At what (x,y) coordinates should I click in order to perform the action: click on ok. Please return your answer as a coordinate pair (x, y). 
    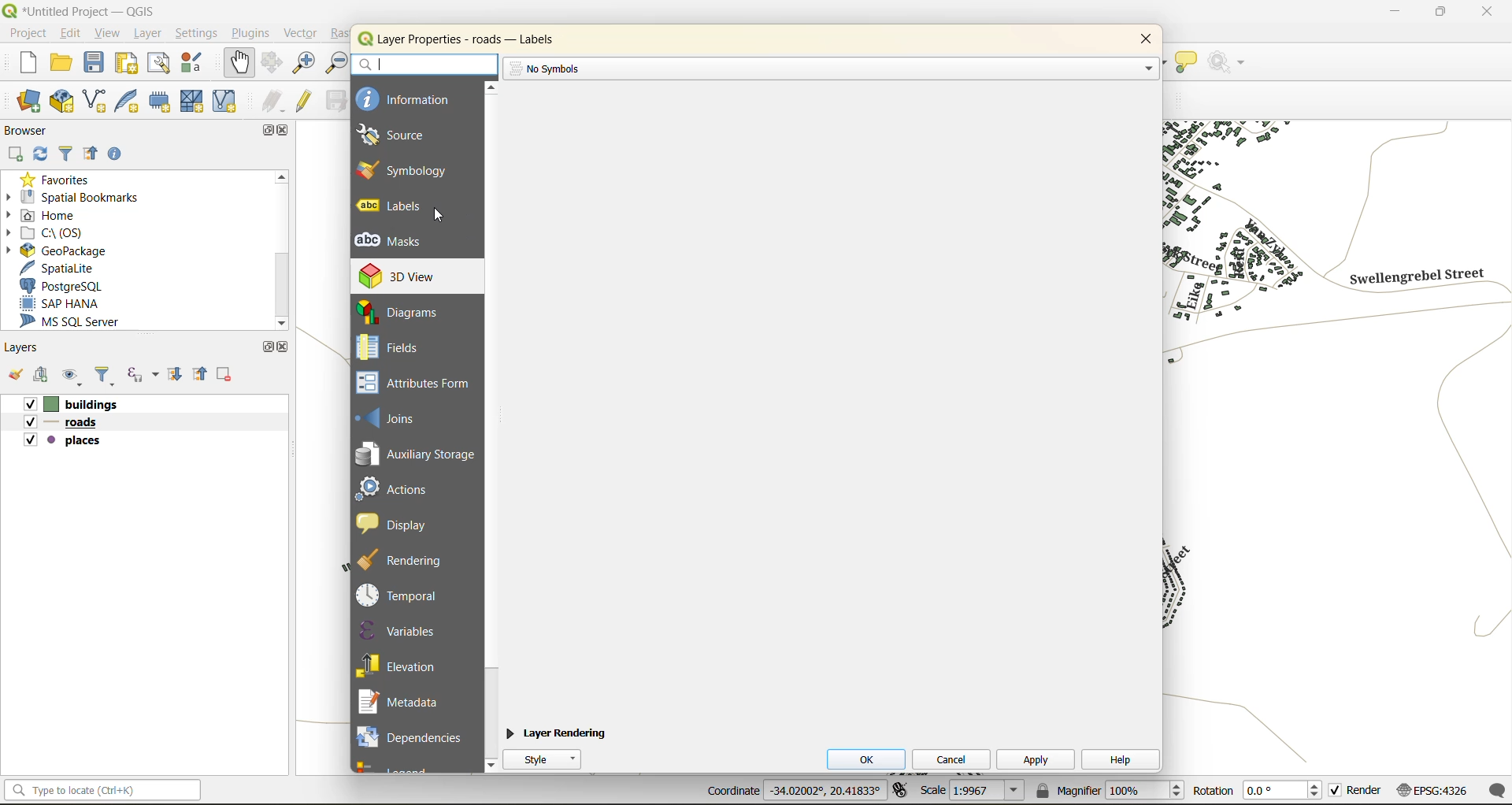
    Looking at the image, I should click on (869, 759).